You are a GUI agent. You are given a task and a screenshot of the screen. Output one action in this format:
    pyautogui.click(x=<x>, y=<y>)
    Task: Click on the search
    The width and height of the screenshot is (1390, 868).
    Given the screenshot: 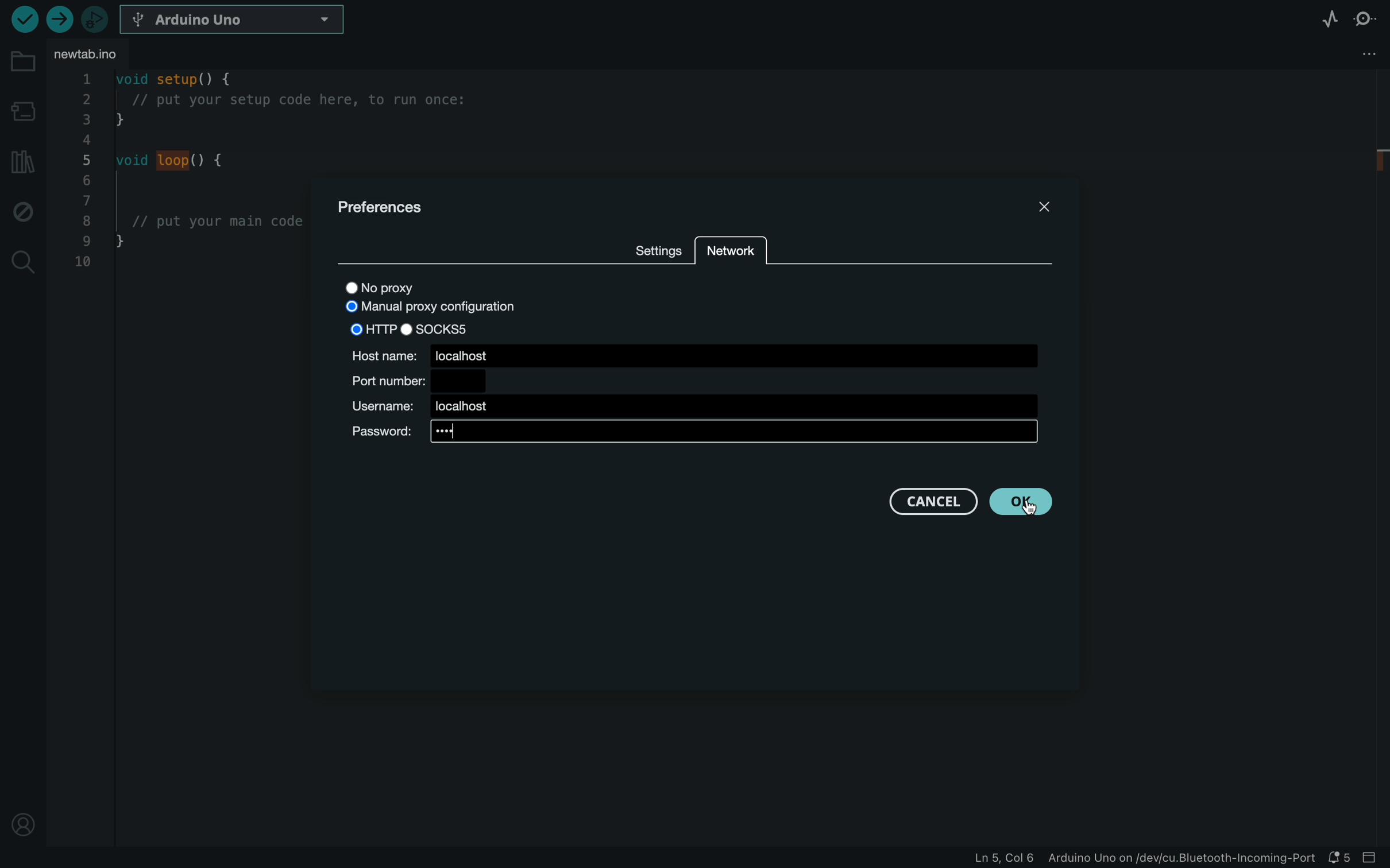 What is the action you would take?
    pyautogui.click(x=23, y=260)
    